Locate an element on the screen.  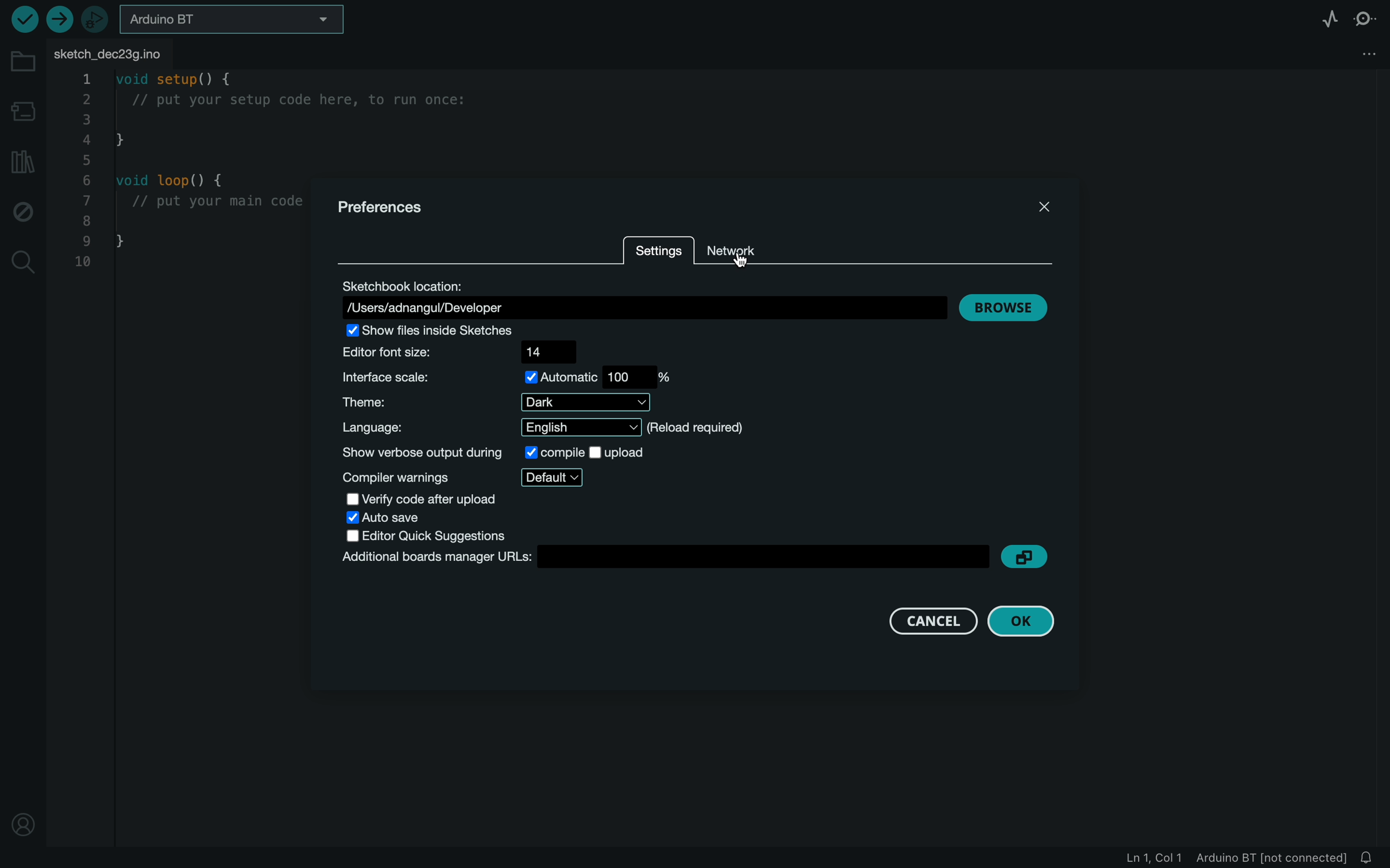
notification is located at coordinates (1371, 858).